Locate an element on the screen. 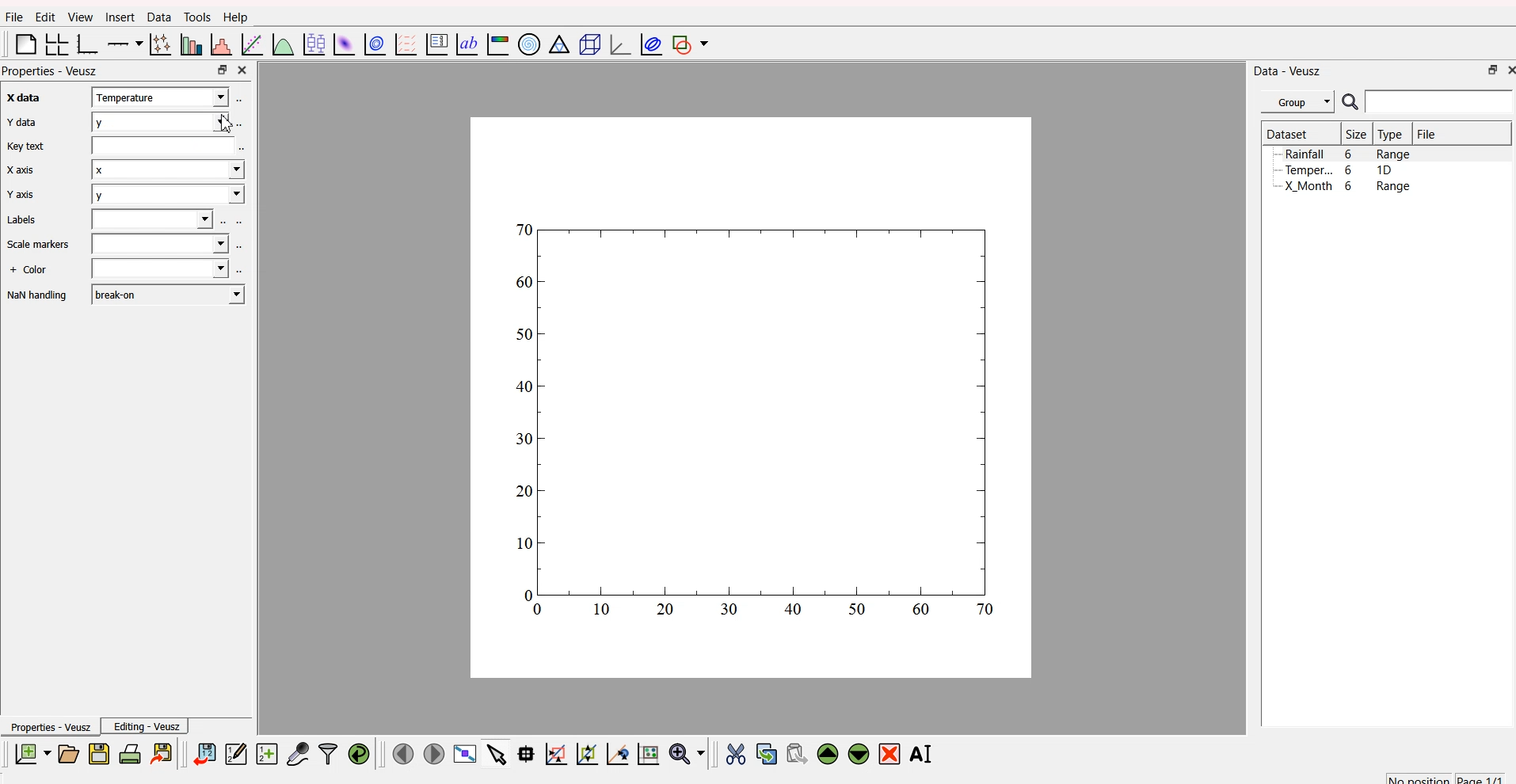 The width and height of the screenshot is (1516, 784). save a document is located at coordinates (97, 753).